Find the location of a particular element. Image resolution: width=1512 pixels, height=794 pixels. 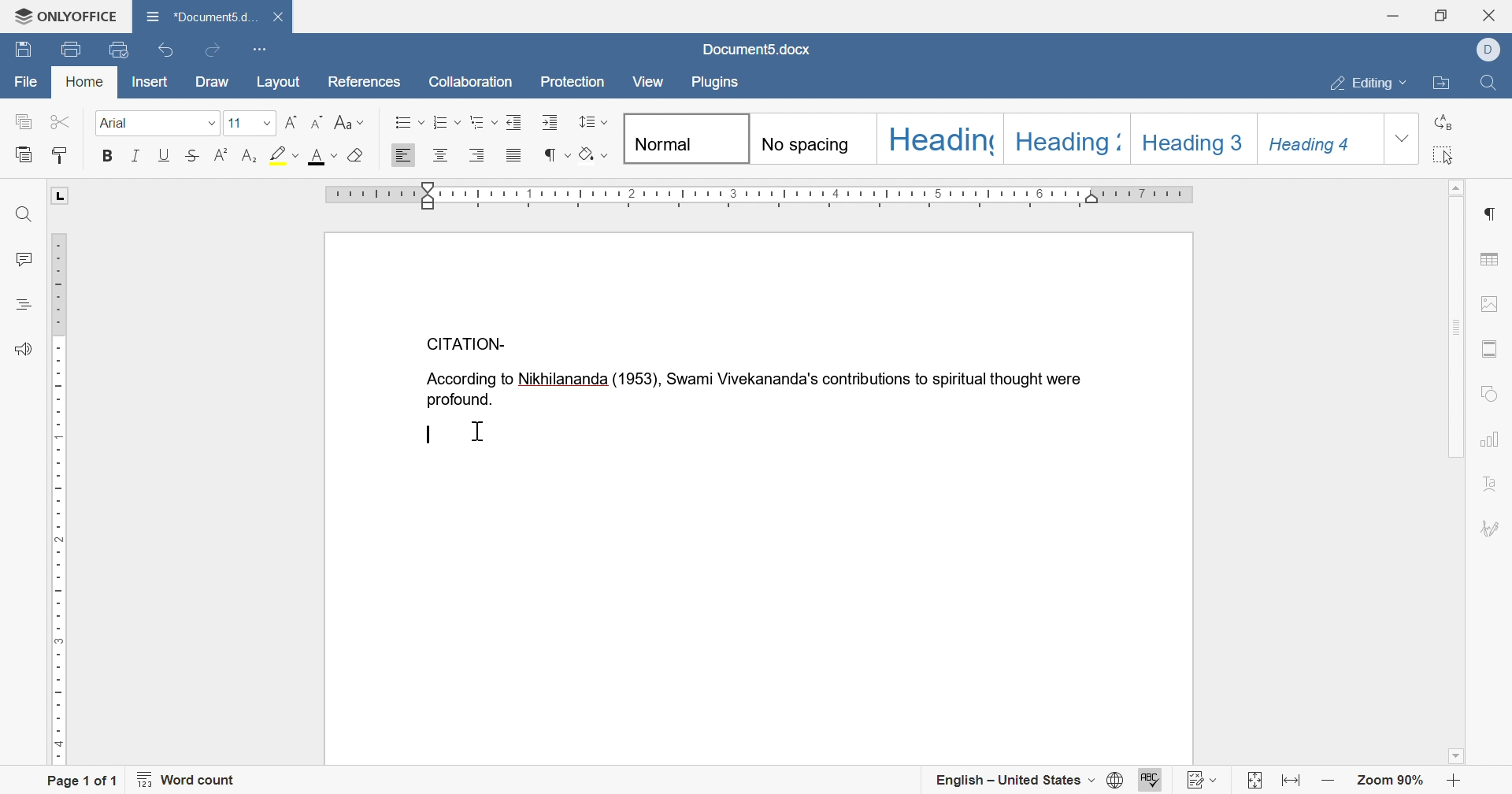

zoom out is located at coordinates (1329, 785).